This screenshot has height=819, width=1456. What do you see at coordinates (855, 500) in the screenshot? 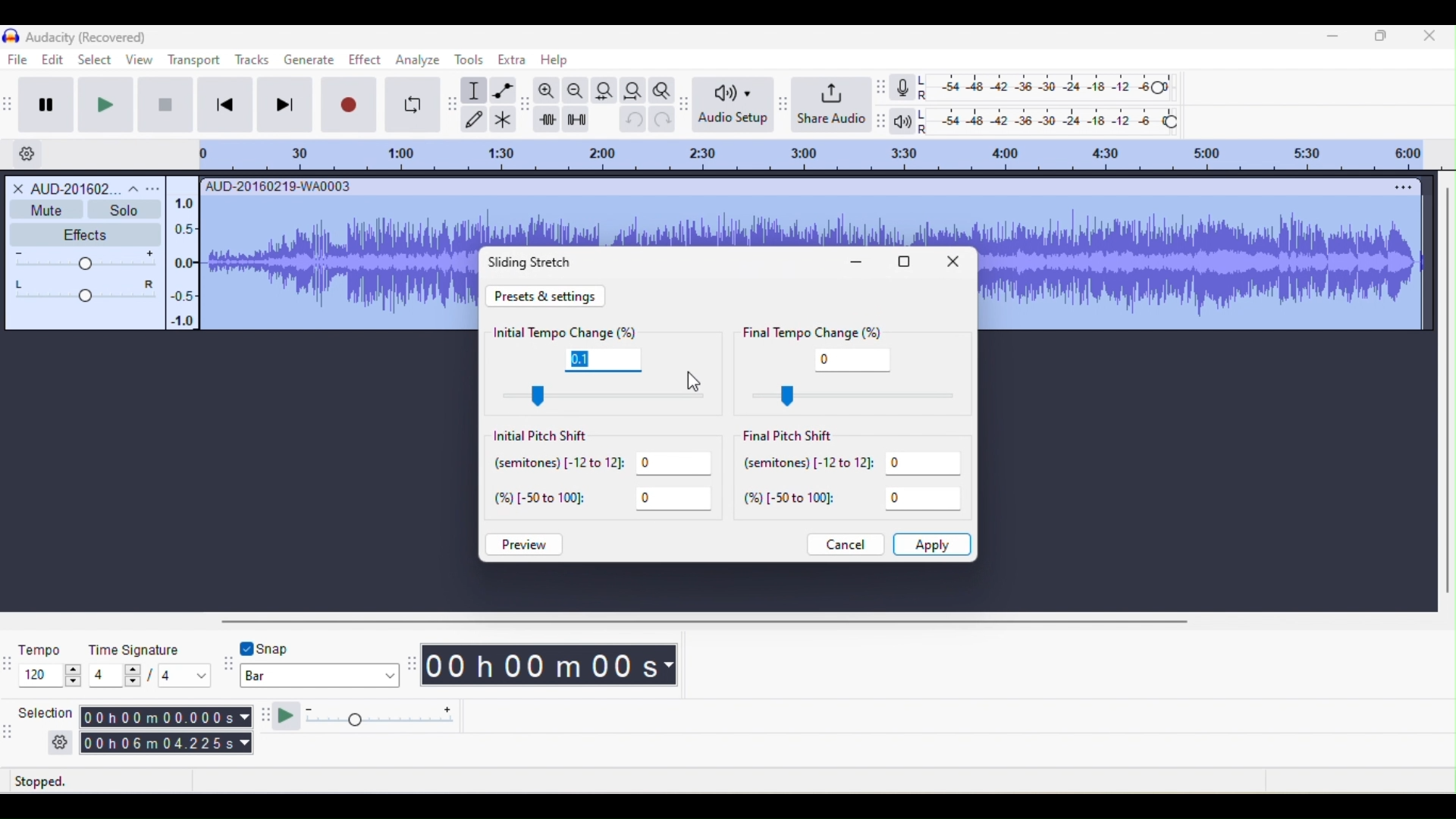
I see `%` at bounding box center [855, 500].